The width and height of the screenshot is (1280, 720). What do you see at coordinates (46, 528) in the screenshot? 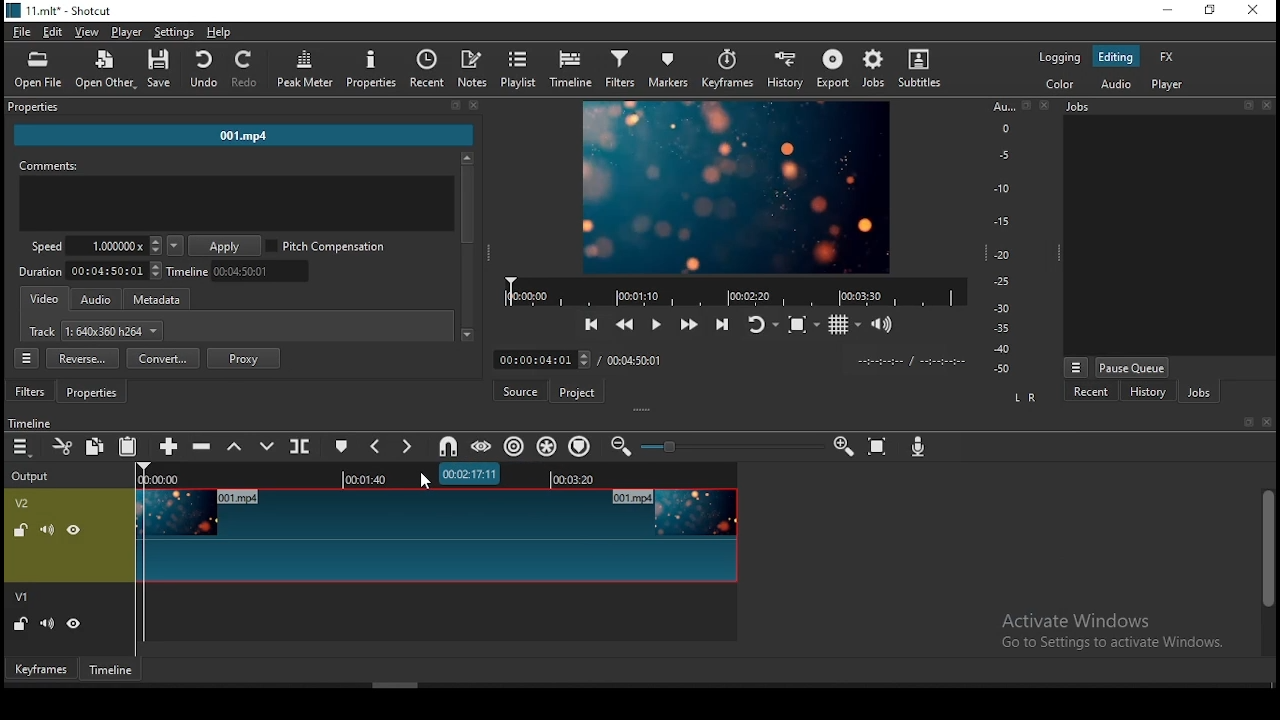
I see `(UN)MUTE` at bounding box center [46, 528].